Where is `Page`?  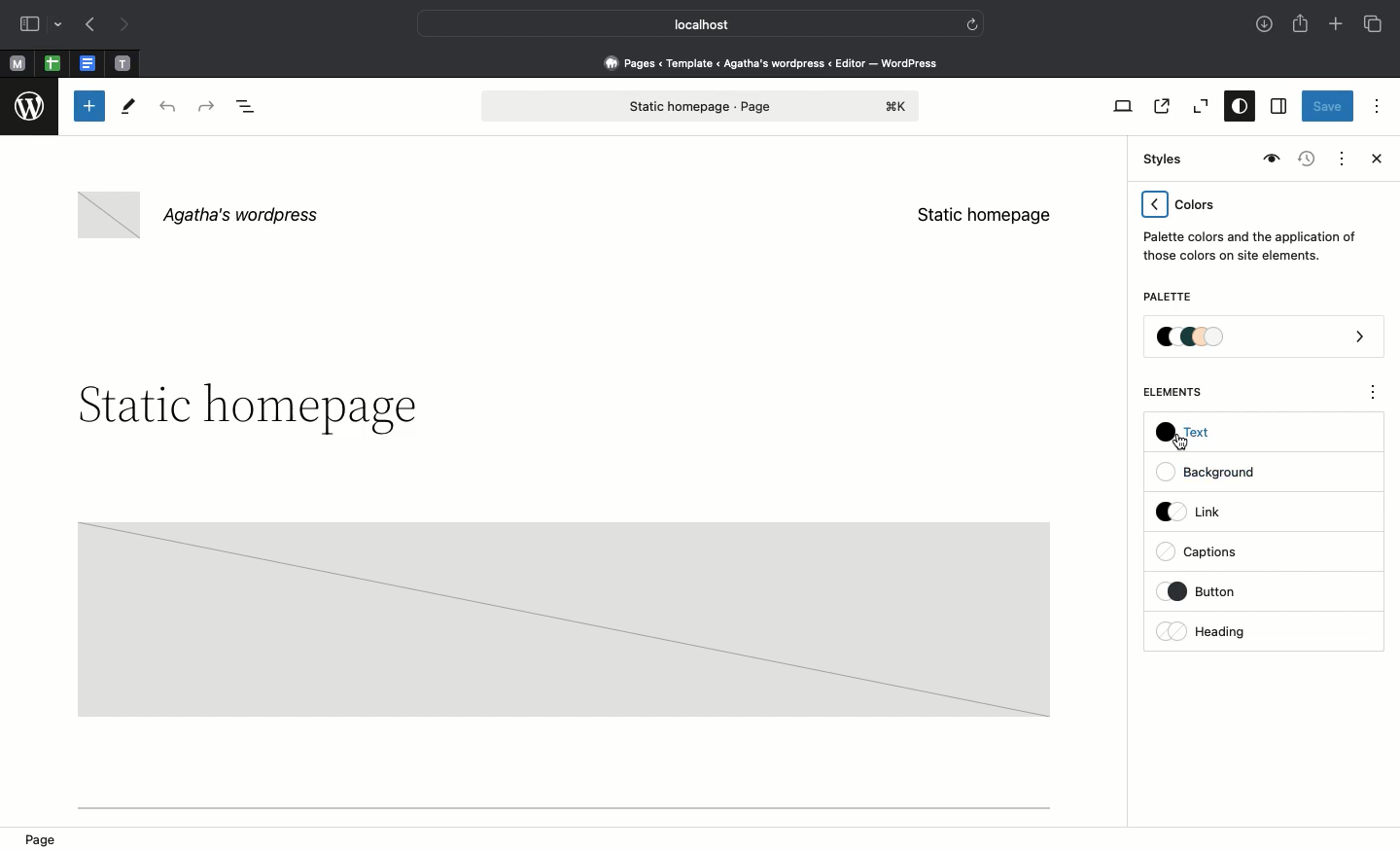 Page is located at coordinates (47, 837).